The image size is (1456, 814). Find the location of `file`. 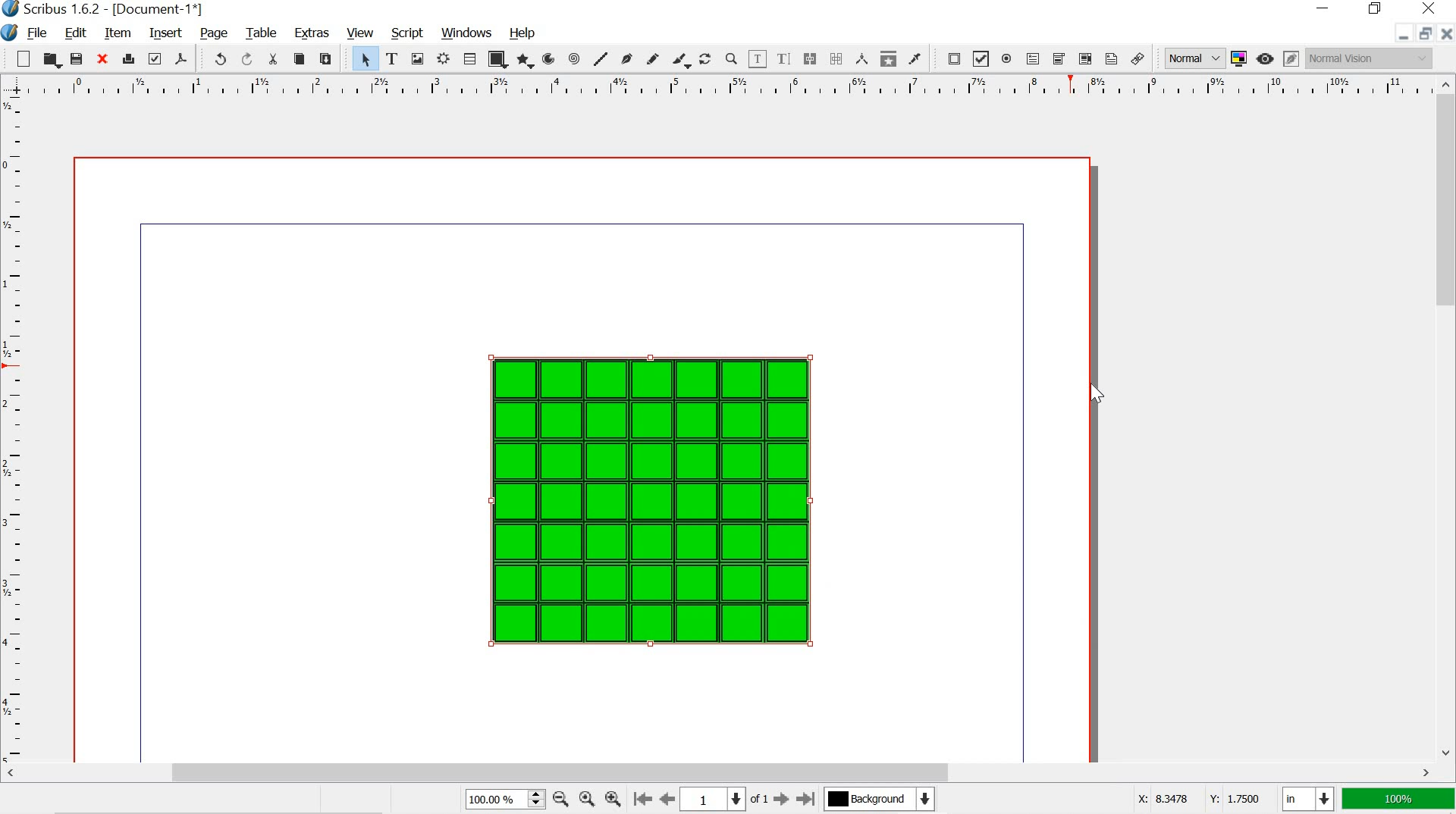

file is located at coordinates (36, 34).